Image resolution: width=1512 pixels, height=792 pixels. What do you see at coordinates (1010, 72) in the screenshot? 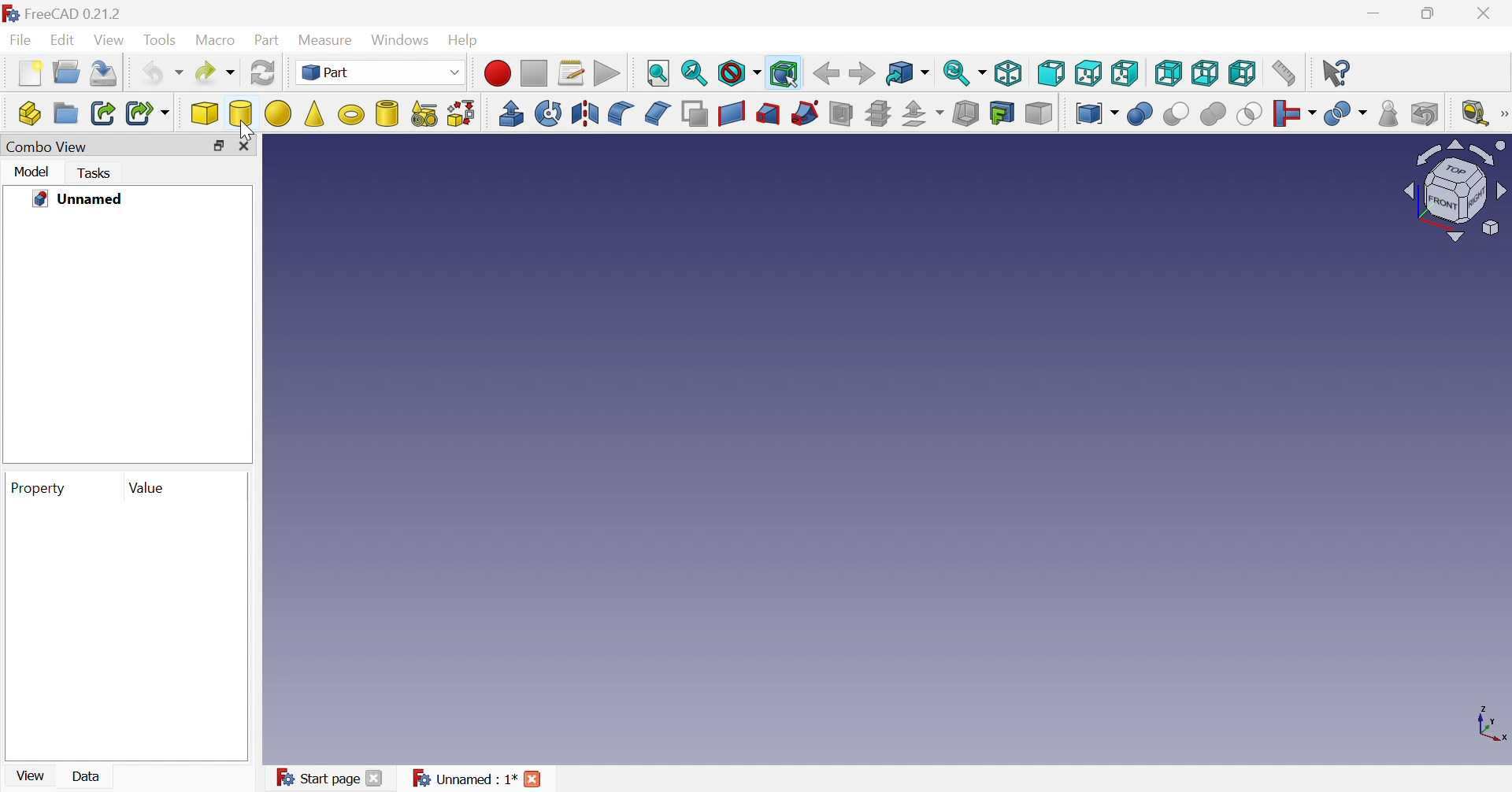
I see `Isometric` at bounding box center [1010, 72].